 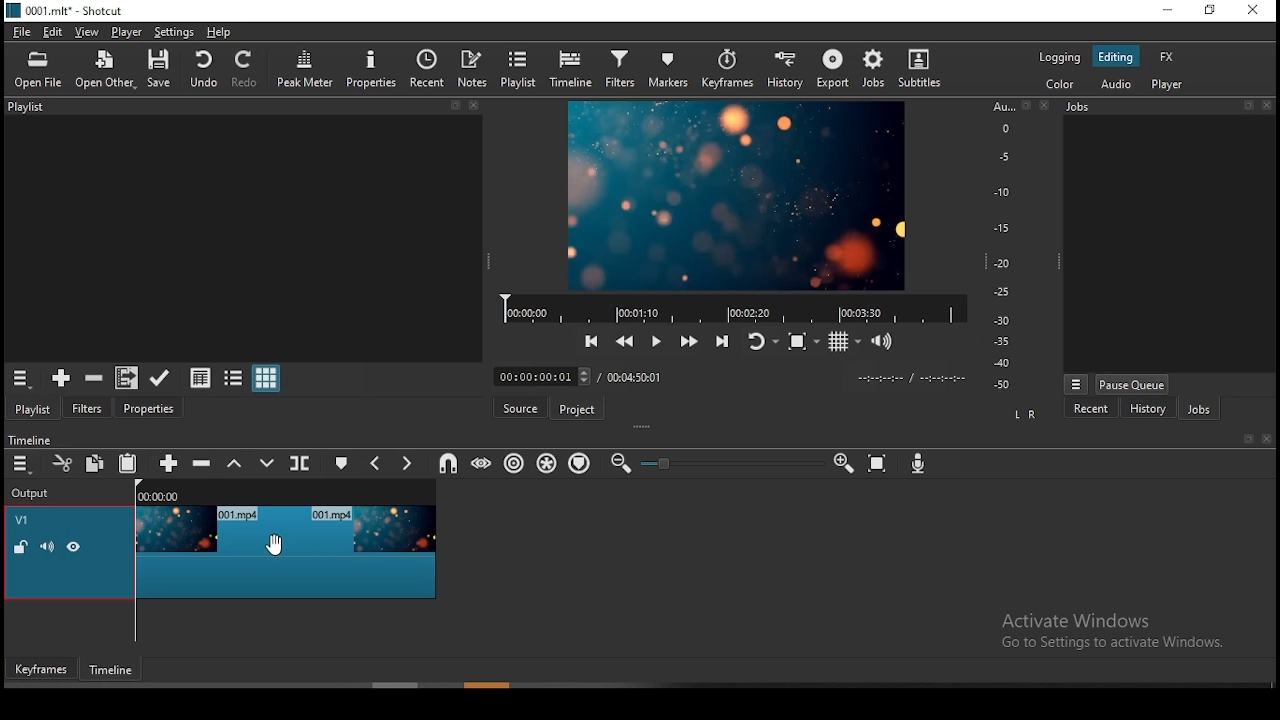 What do you see at coordinates (126, 378) in the screenshot?
I see `add files to playlist` at bounding box center [126, 378].